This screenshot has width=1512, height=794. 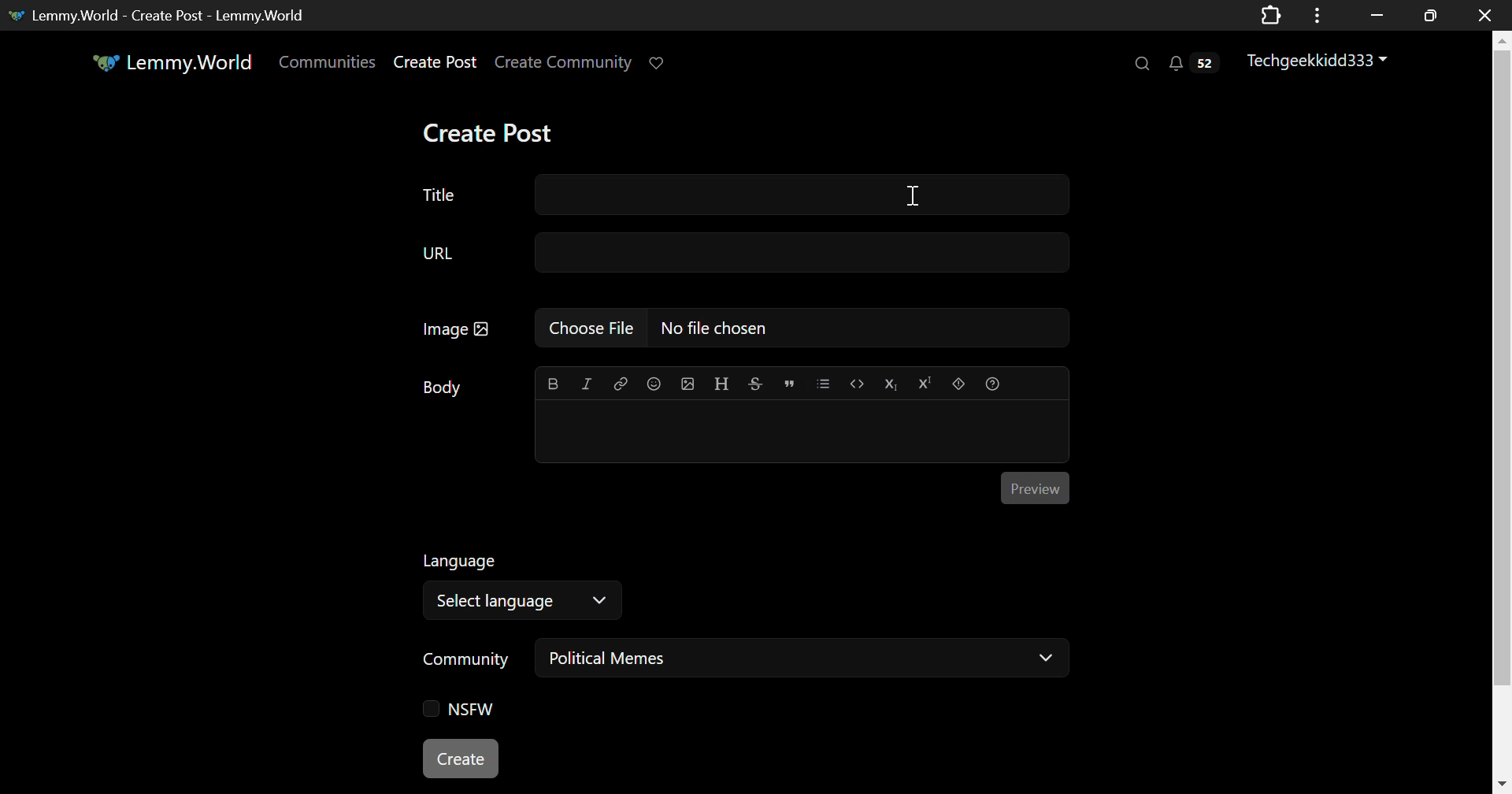 What do you see at coordinates (169, 15) in the screenshot?
I see `Lemmy.World - Create Post - Lemmy.World` at bounding box center [169, 15].